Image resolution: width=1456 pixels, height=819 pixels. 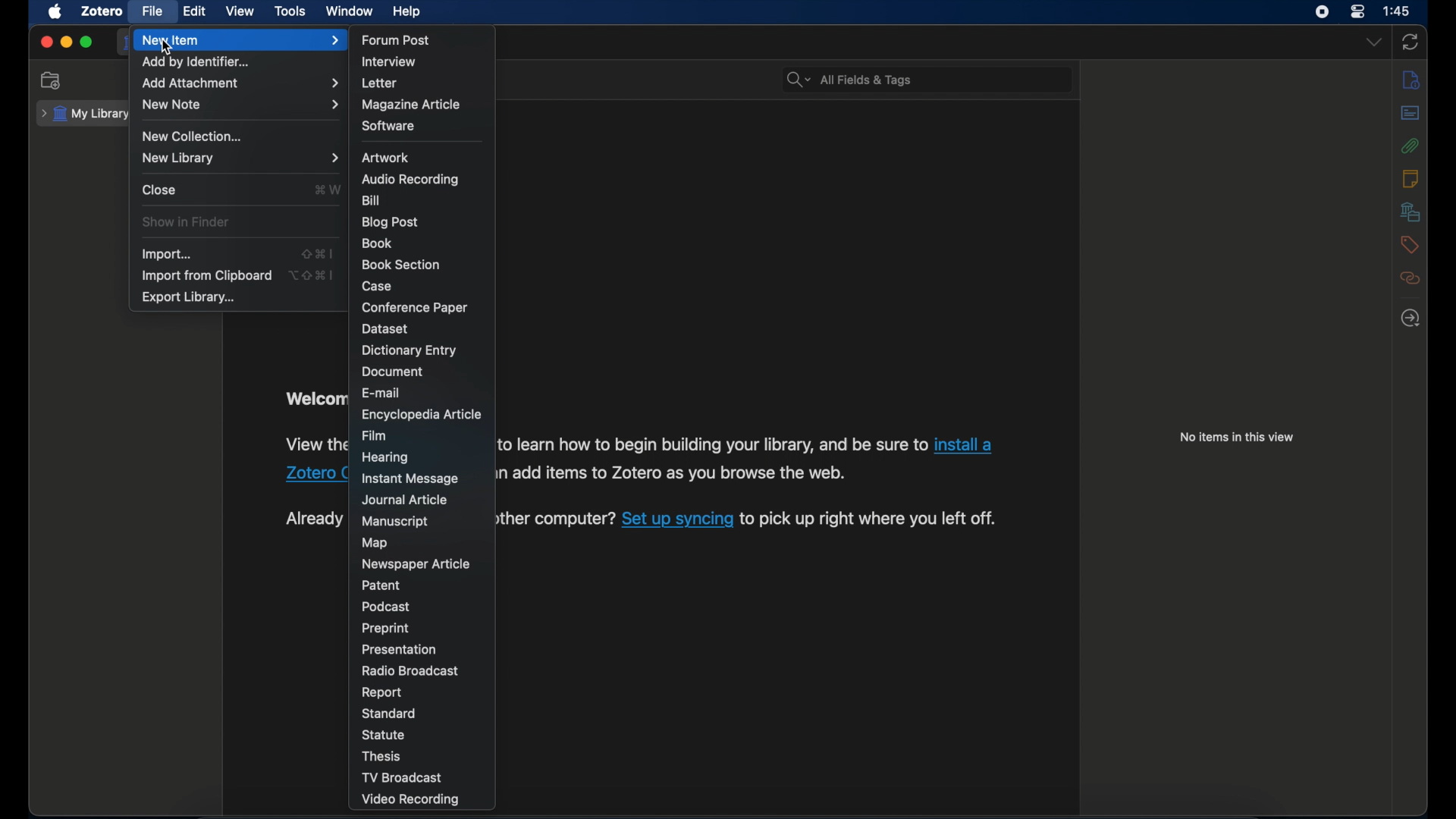 I want to click on help, so click(x=406, y=11).